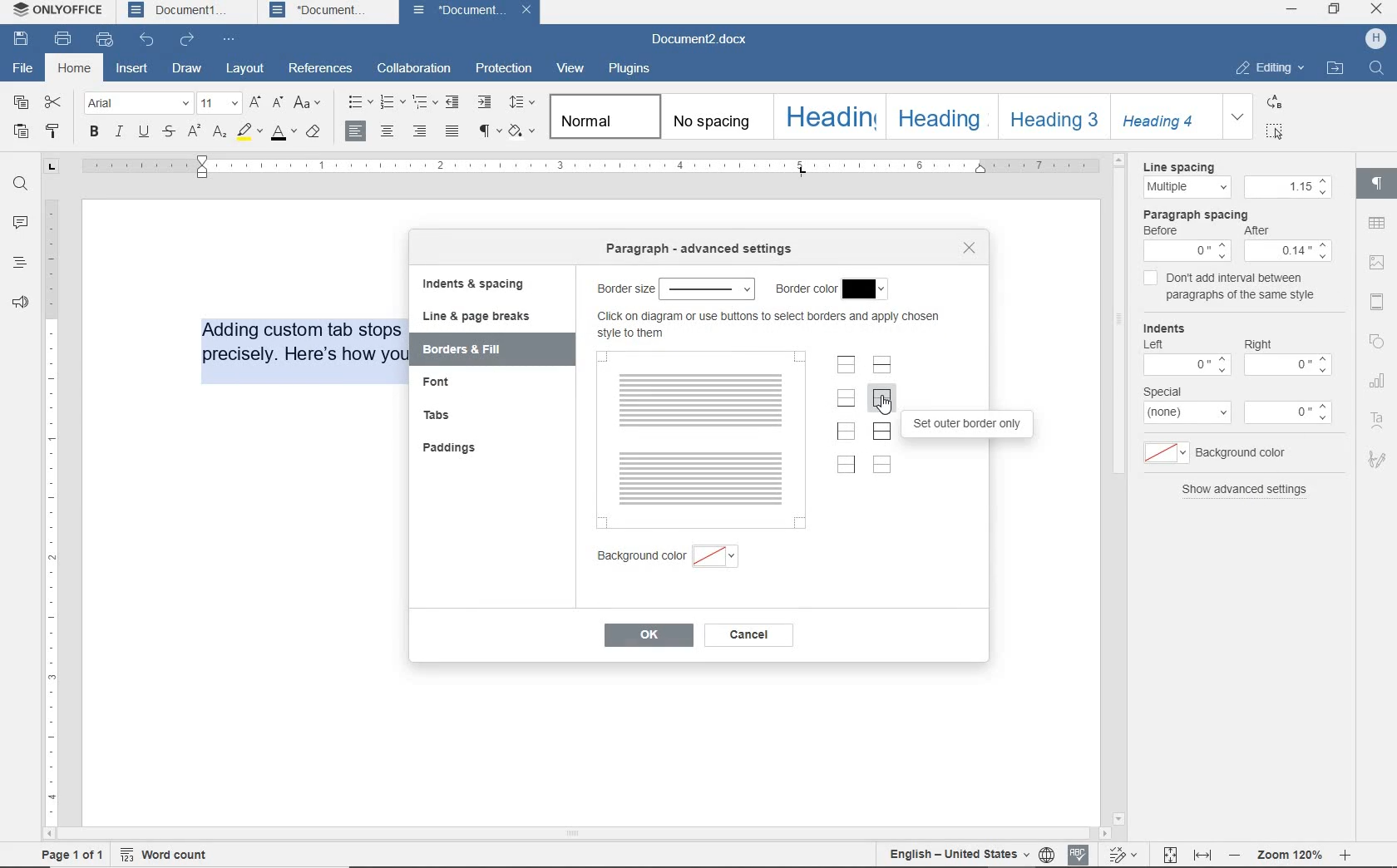  Describe the element at coordinates (24, 68) in the screenshot. I see `file` at that location.